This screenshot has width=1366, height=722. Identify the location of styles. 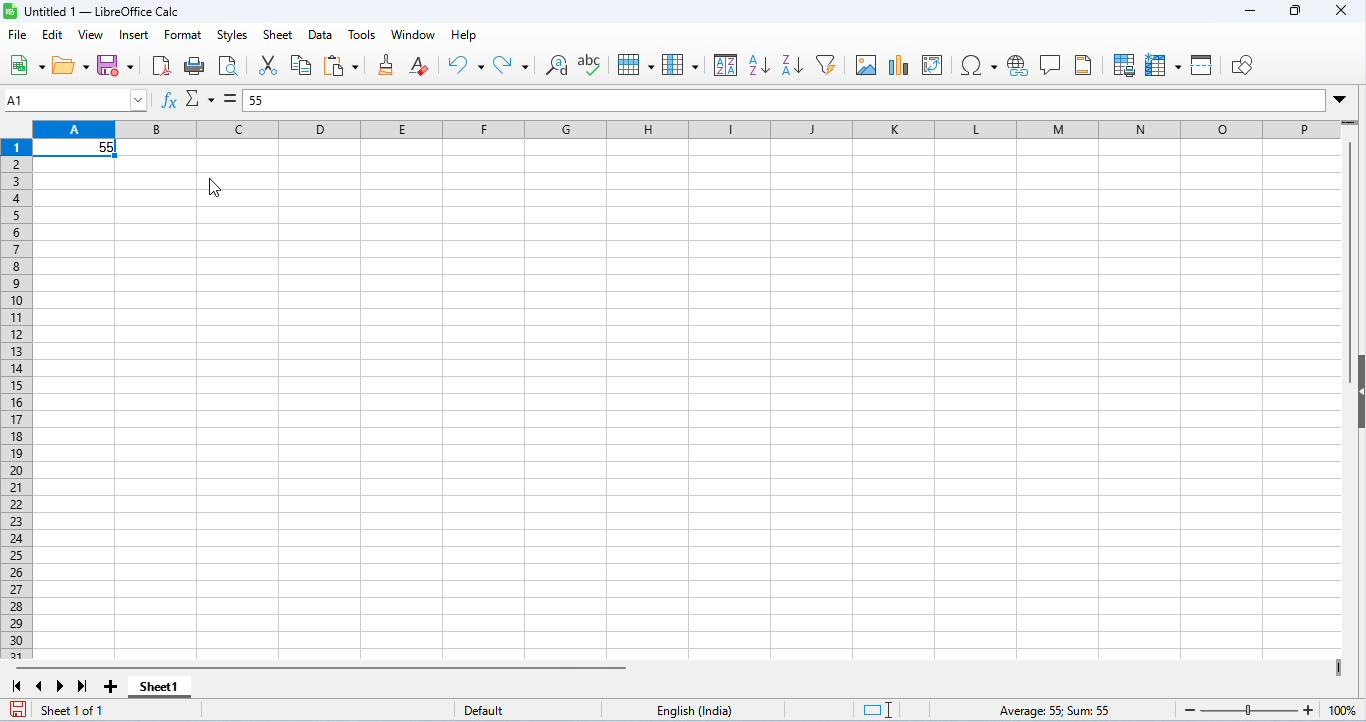
(232, 34).